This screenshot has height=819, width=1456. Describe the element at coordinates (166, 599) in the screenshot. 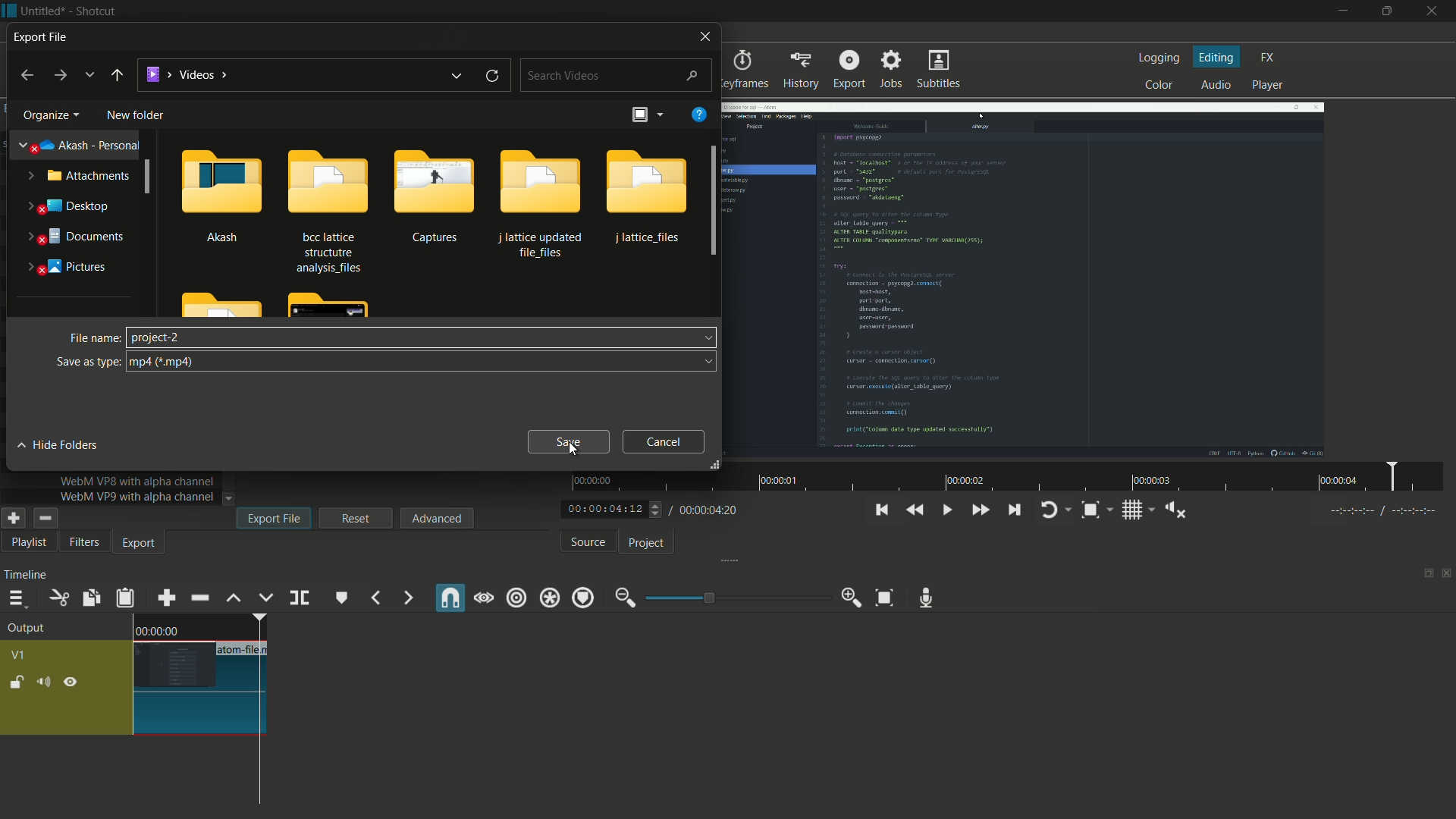

I see `append` at that location.